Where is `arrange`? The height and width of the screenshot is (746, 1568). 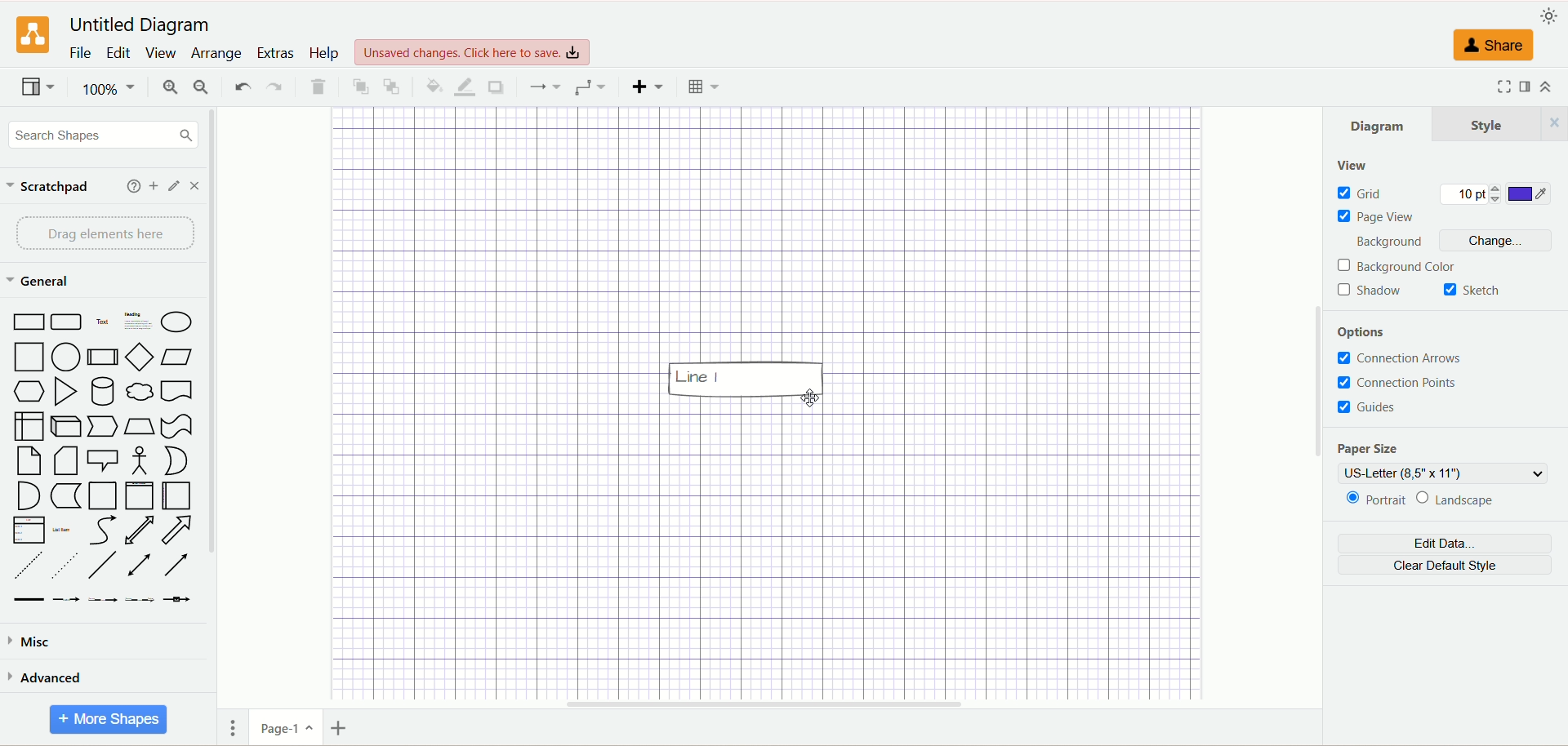 arrange is located at coordinates (217, 54).